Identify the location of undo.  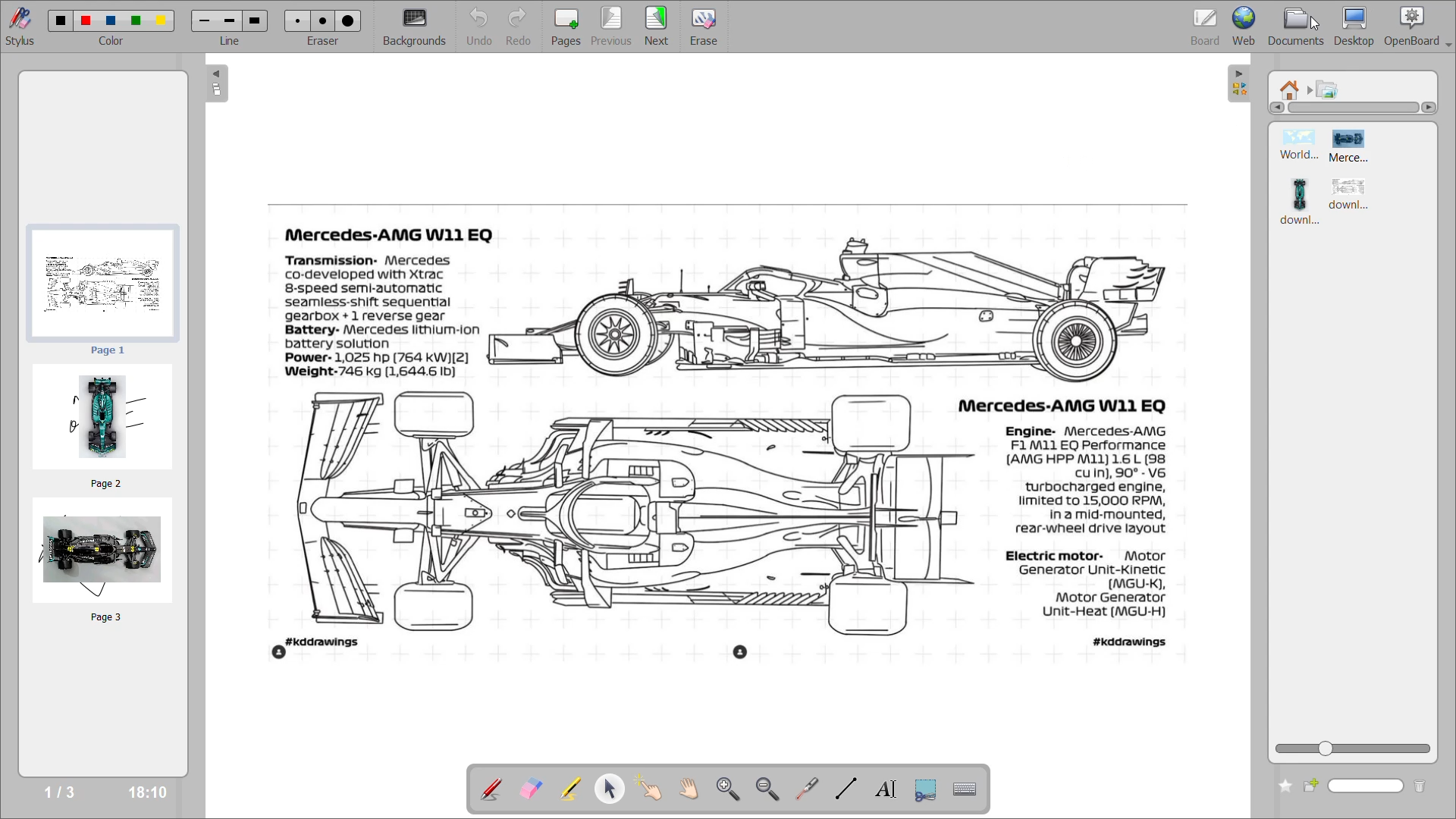
(480, 27).